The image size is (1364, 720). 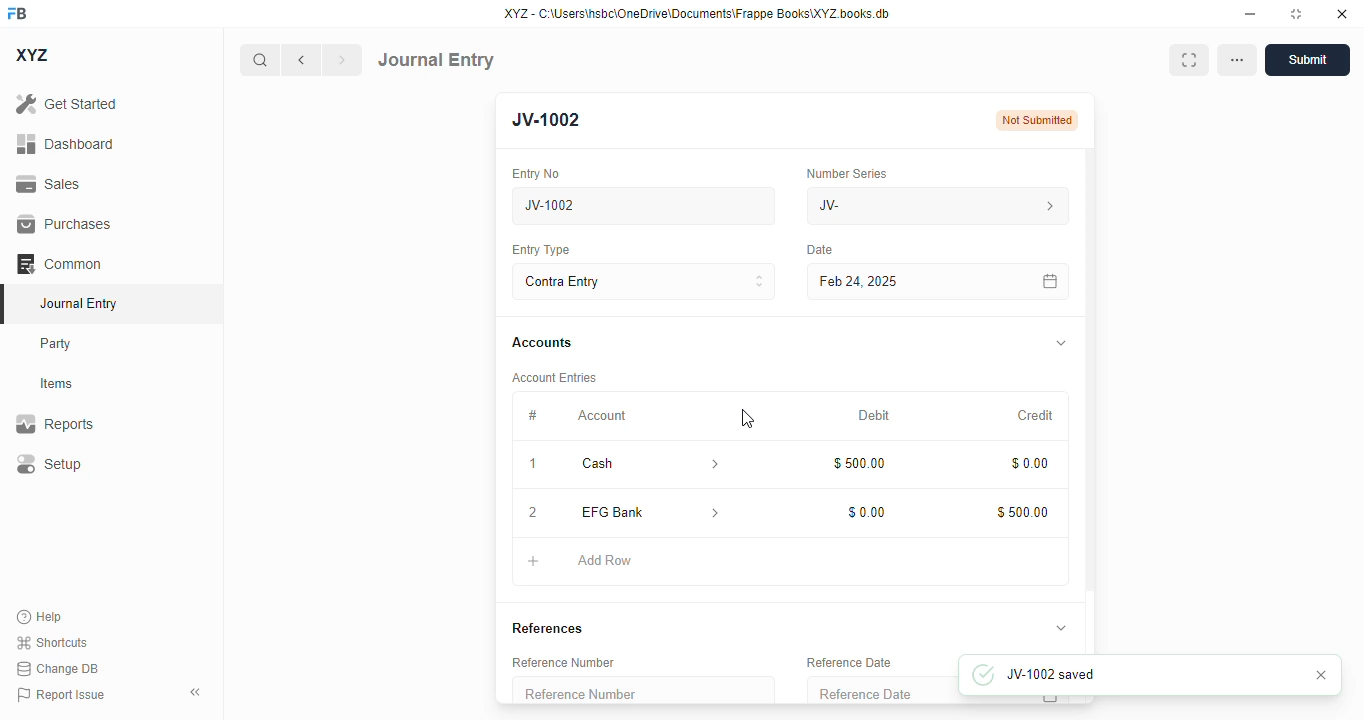 What do you see at coordinates (534, 465) in the screenshot?
I see `1` at bounding box center [534, 465].